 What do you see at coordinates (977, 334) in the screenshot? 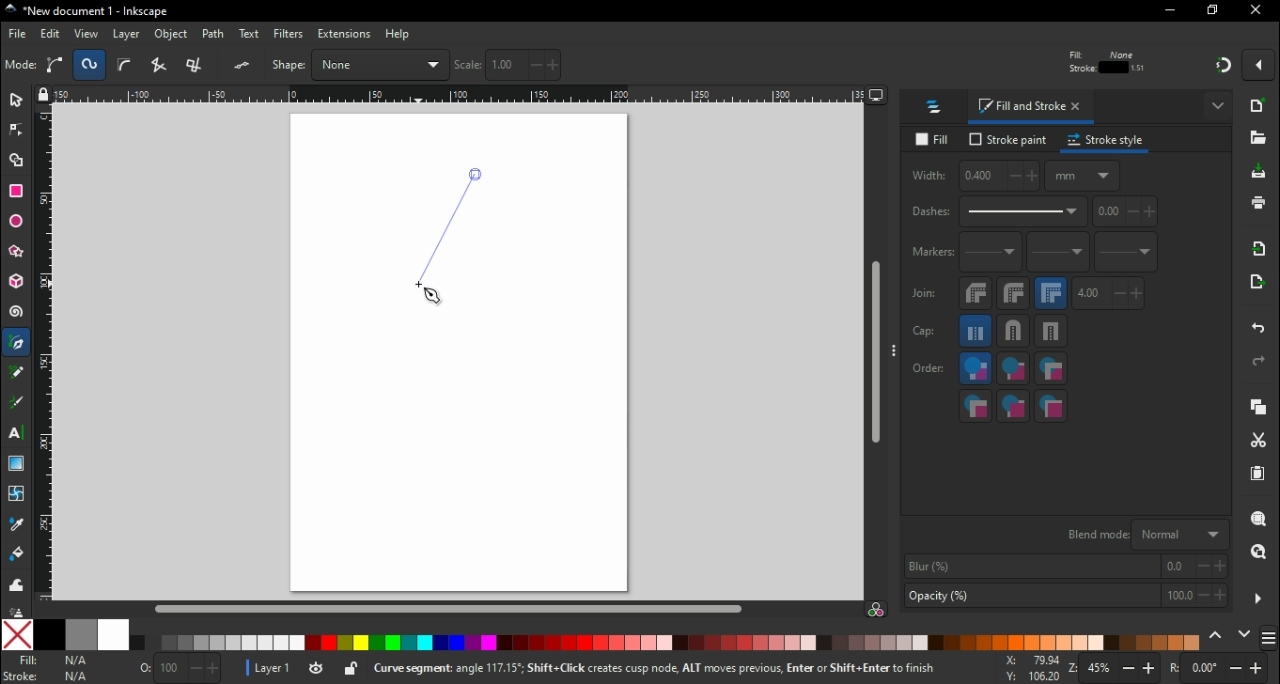
I see `butt` at bounding box center [977, 334].